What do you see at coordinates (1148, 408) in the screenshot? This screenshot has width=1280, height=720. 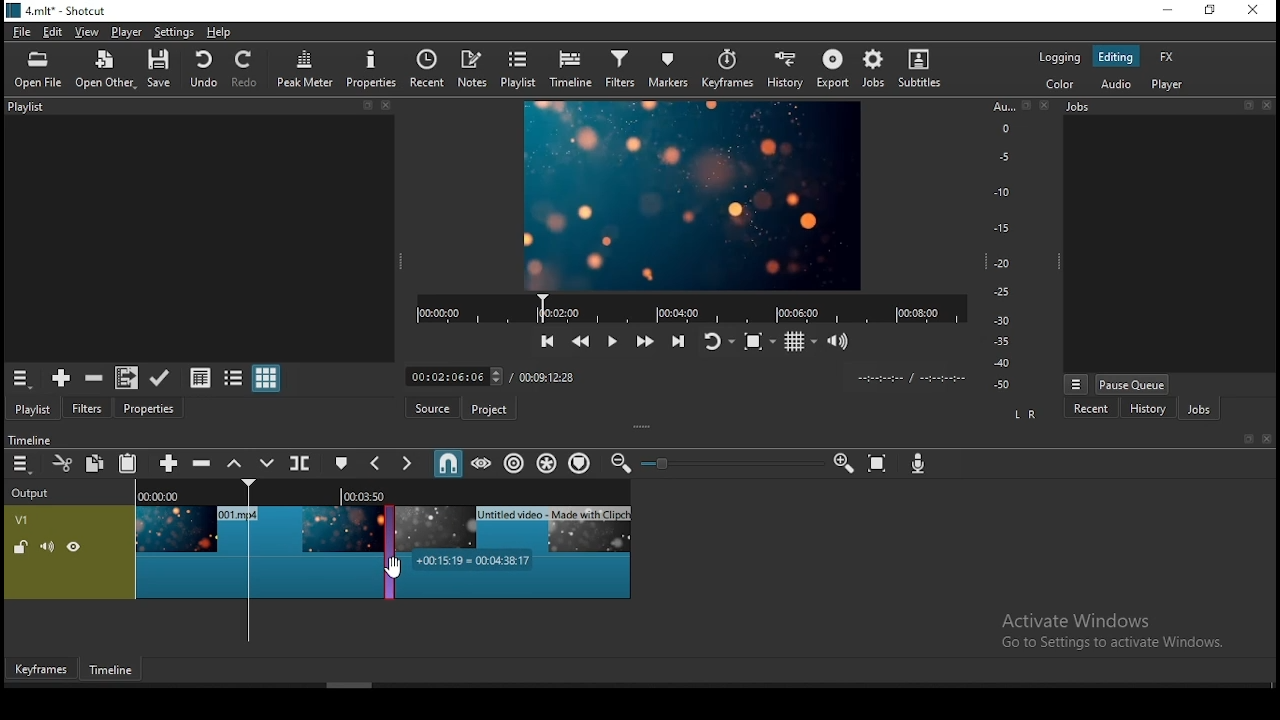 I see `history` at bounding box center [1148, 408].